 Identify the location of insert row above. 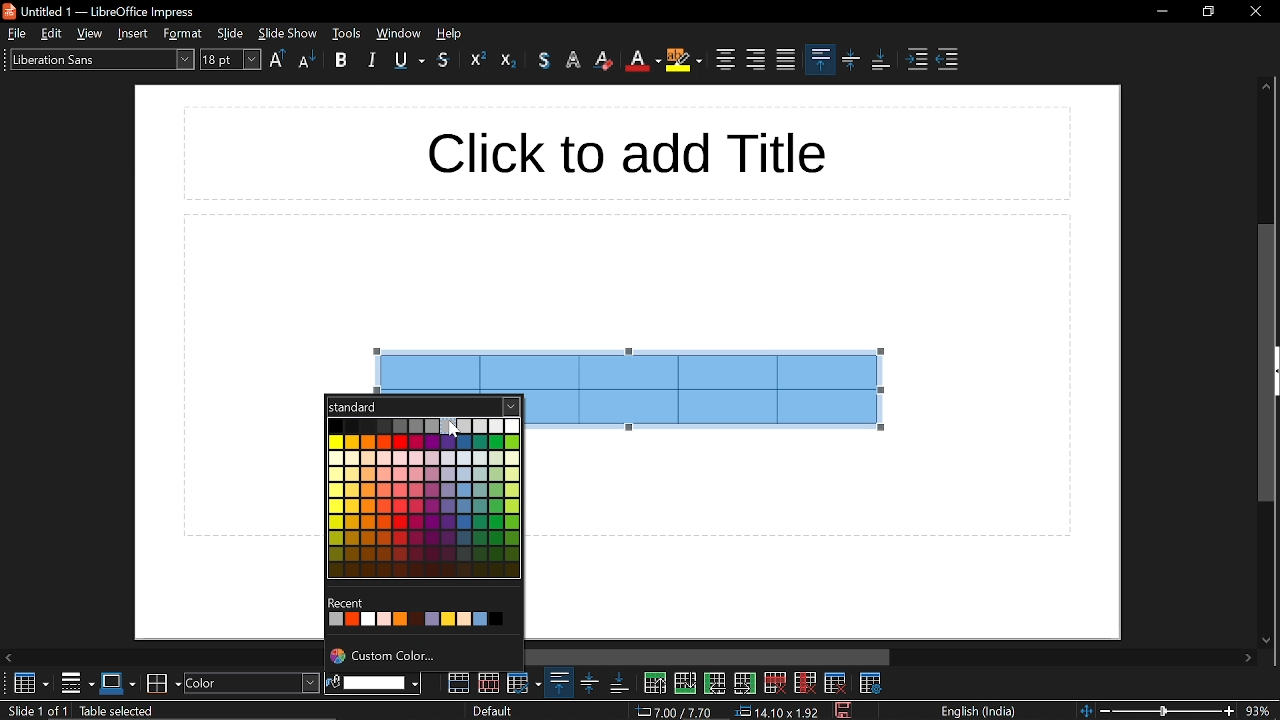
(654, 682).